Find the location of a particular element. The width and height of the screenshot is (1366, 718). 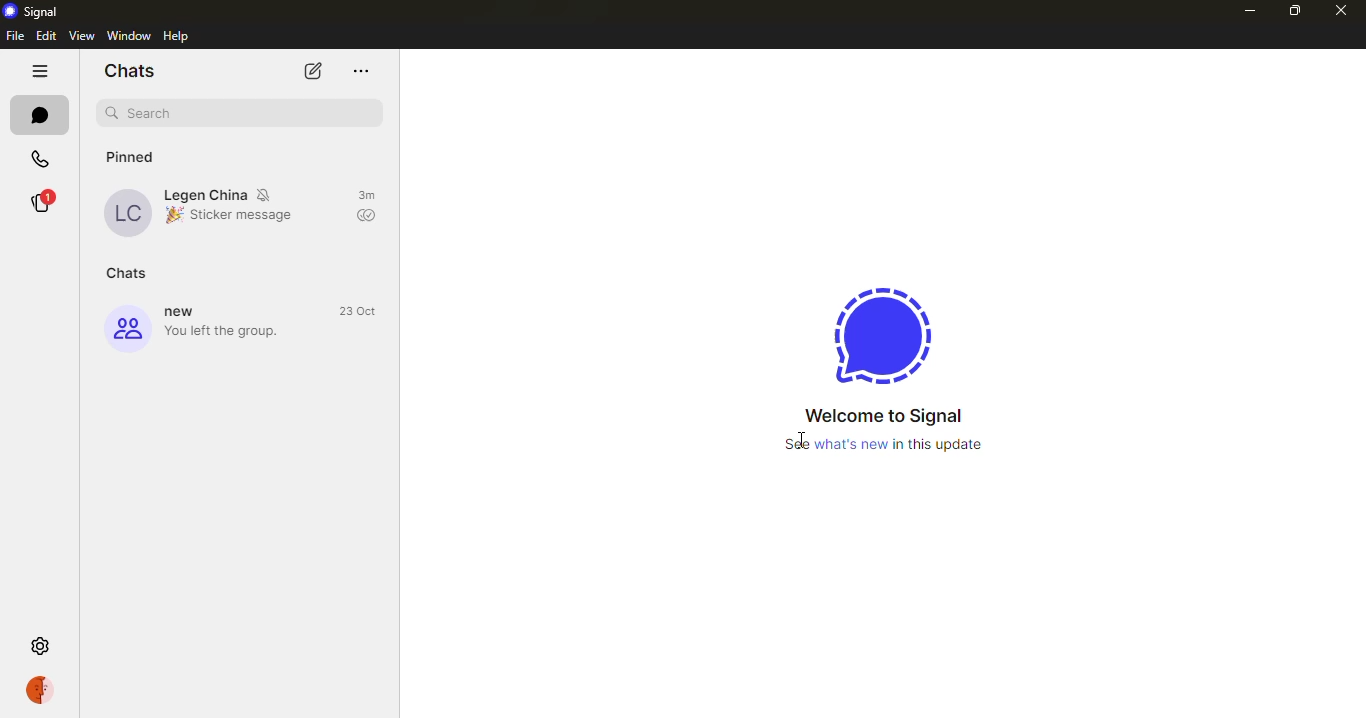

settings is located at coordinates (38, 644).